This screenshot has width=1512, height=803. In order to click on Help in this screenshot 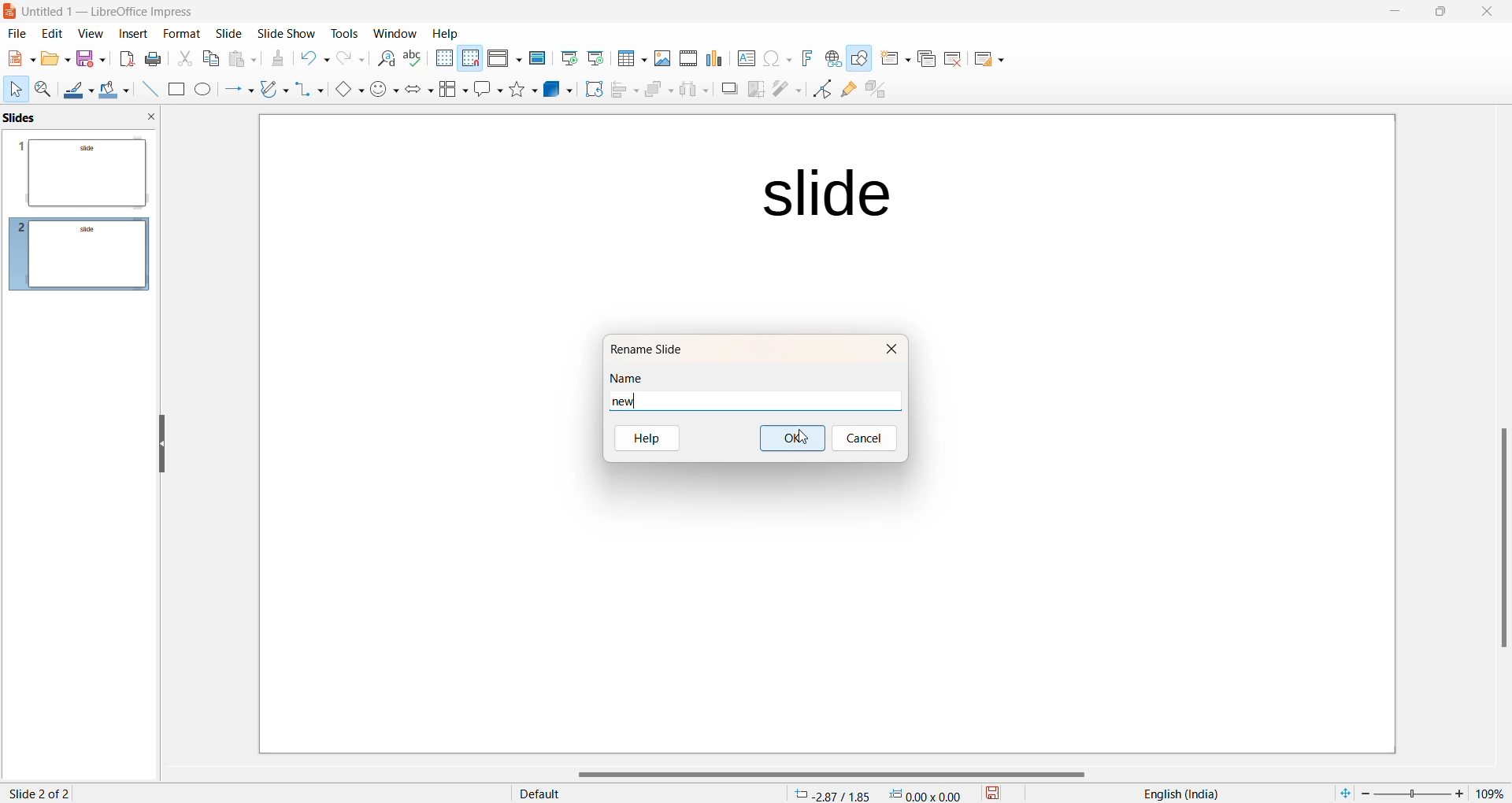, I will do `click(455, 33)`.